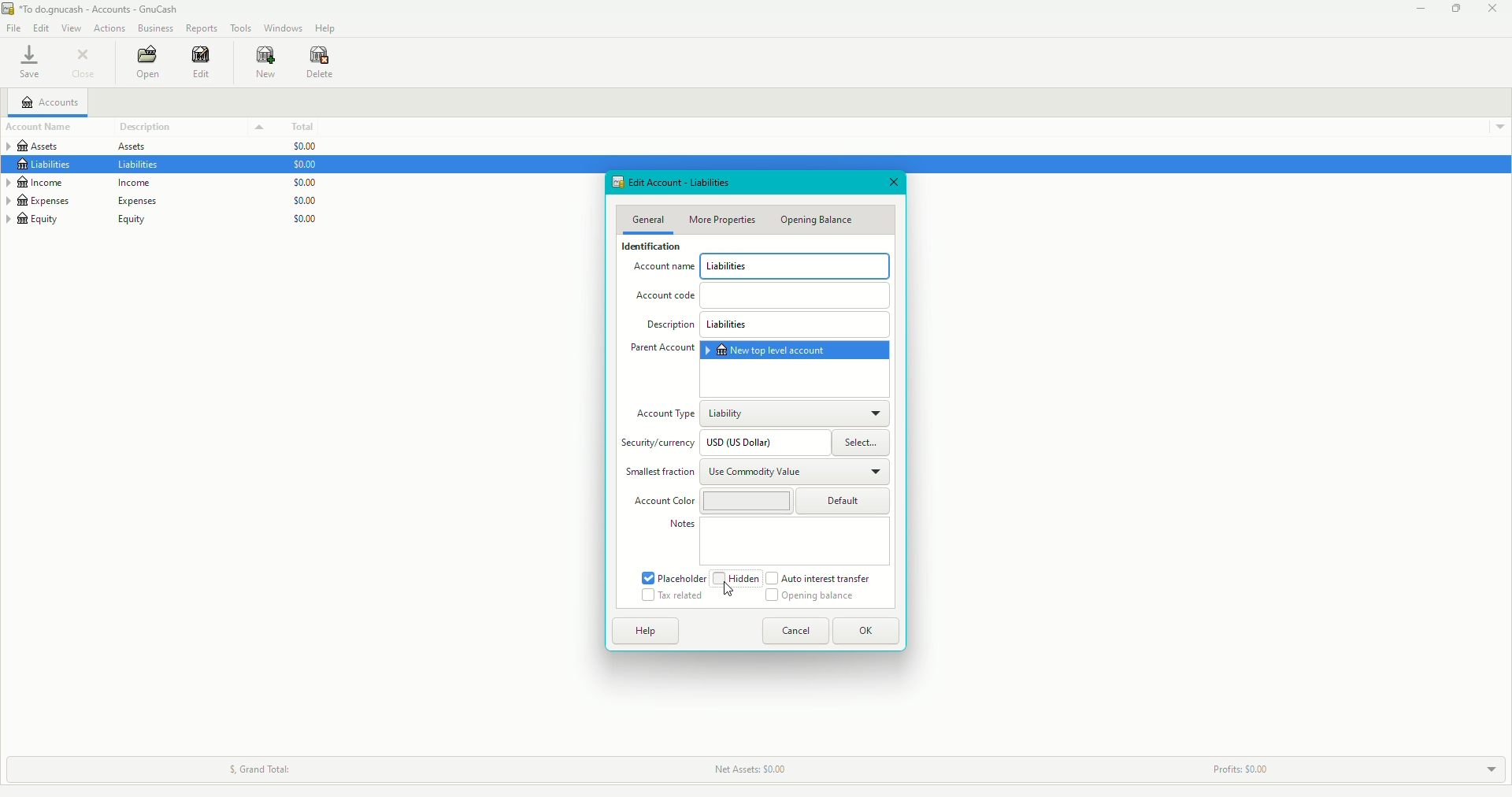 This screenshot has height=797, width=1512. What do you see at coordinates (87, 64) in the screenshot?
I see `Close` at bounding box center [87, 64].